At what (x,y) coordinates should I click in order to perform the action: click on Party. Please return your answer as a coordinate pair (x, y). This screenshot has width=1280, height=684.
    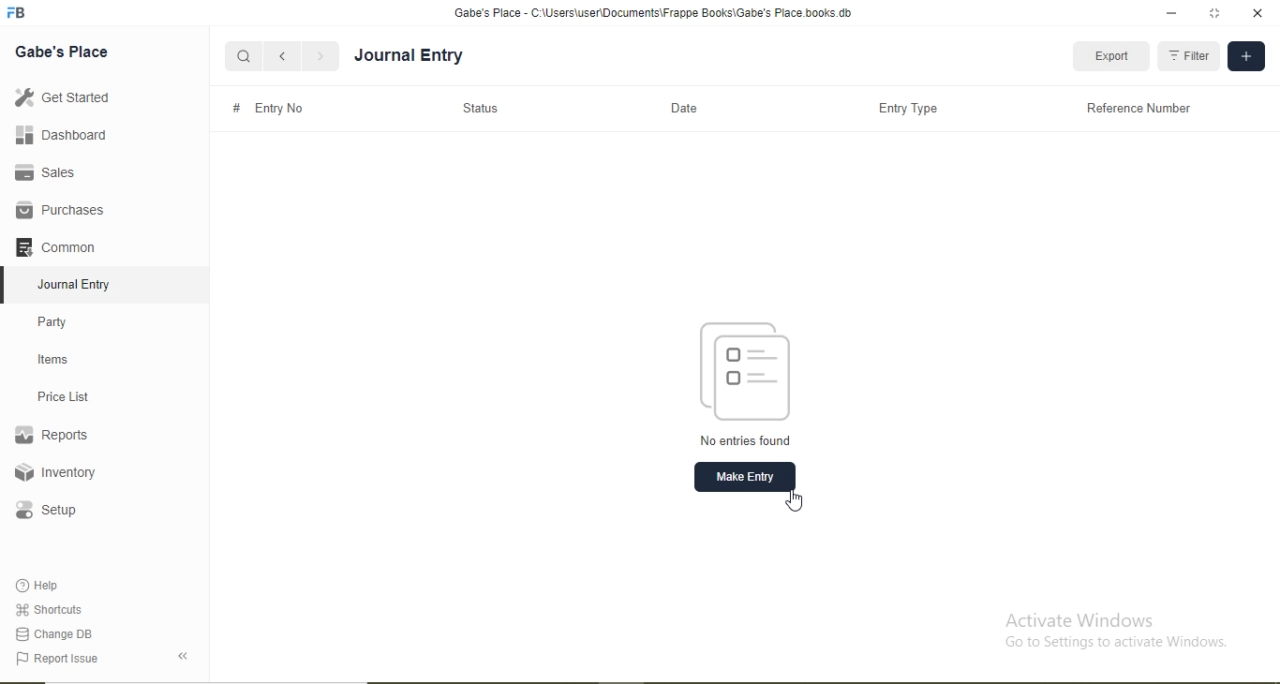
    Looking at the image, I should click on (53, 324).